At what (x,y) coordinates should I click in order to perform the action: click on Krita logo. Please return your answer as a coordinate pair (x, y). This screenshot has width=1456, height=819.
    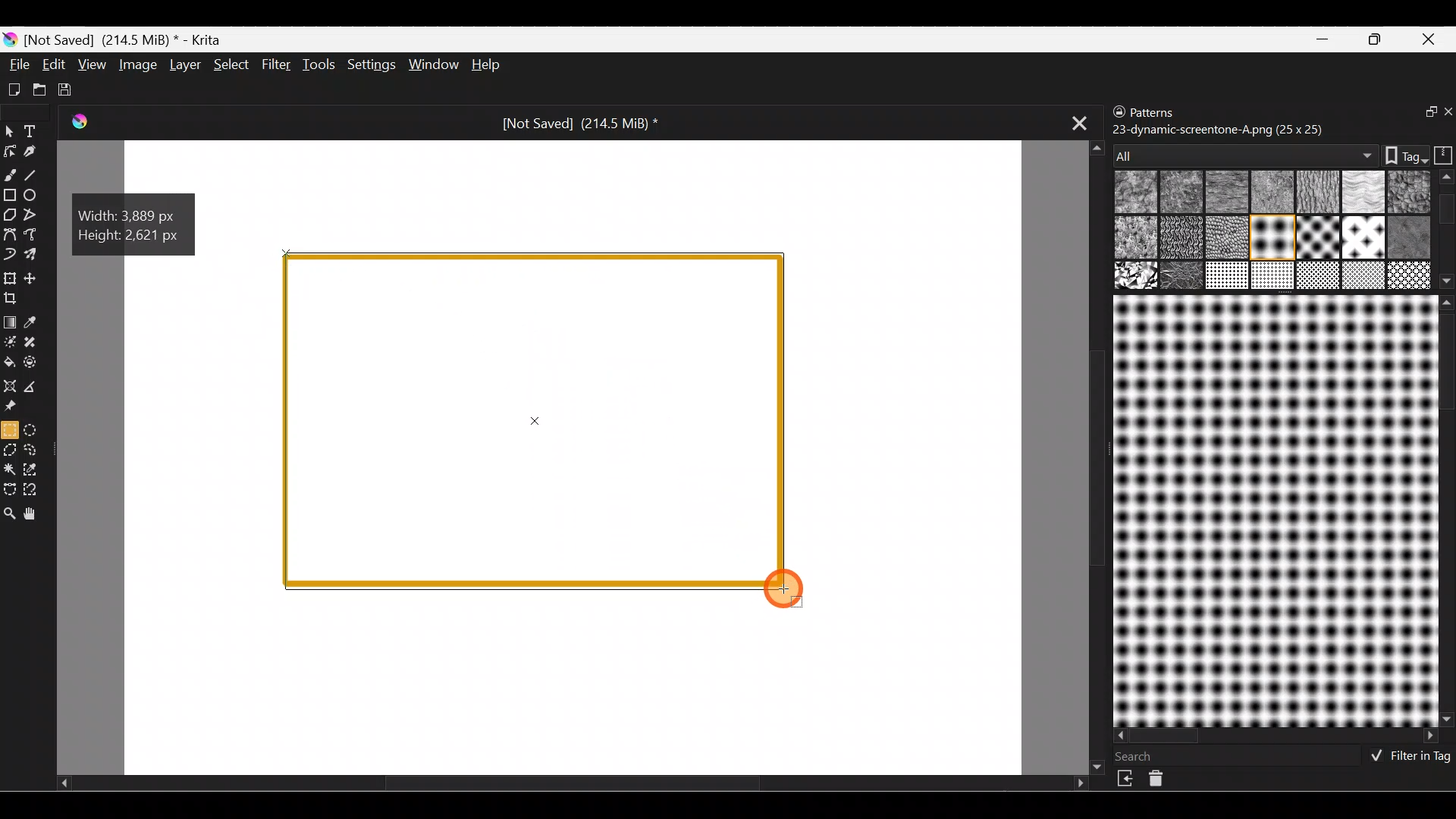
    Looking at the image, I should click on (9, 40).